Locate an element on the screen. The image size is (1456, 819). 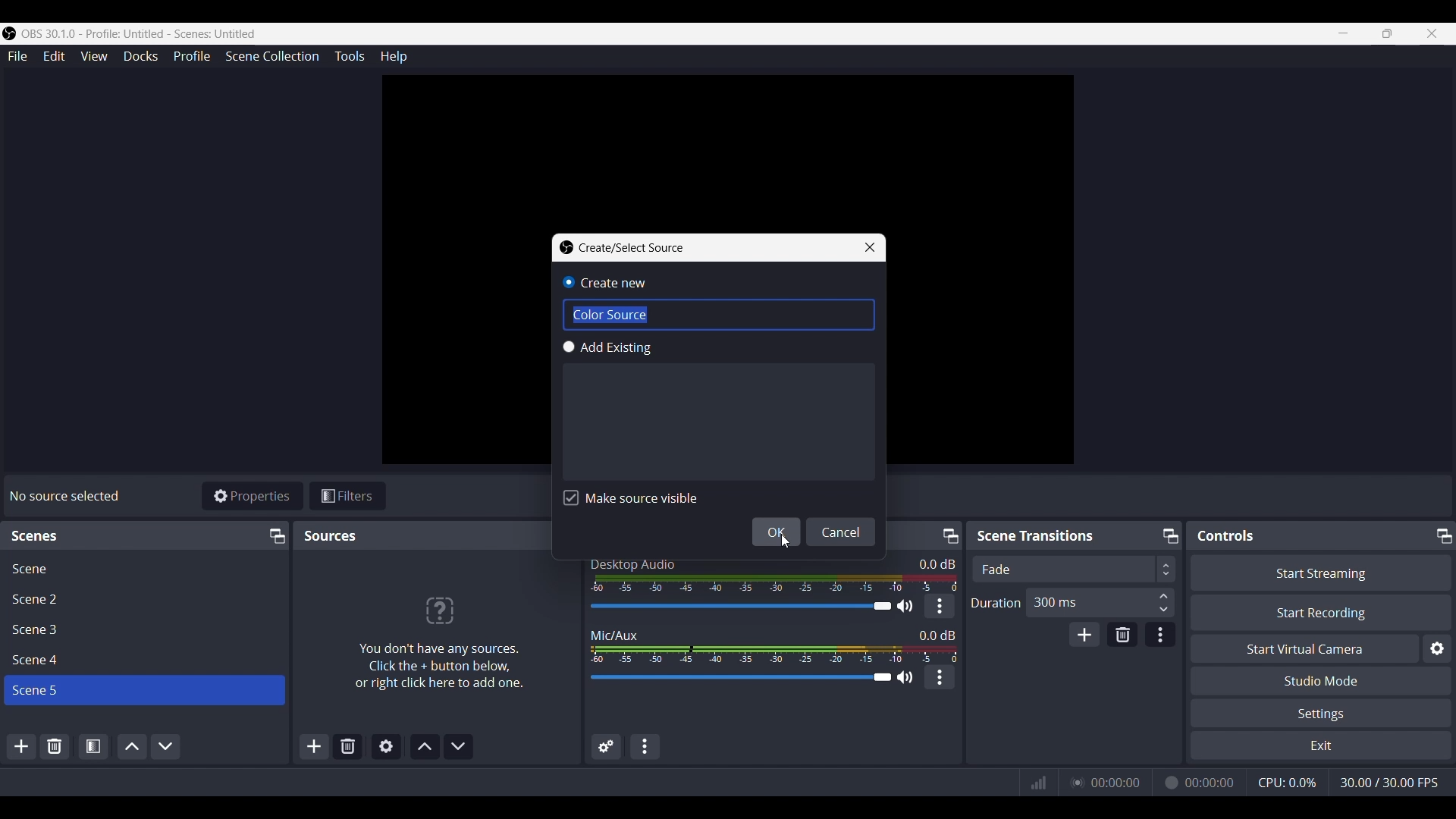
Create new is located at coordinates (612, 284).